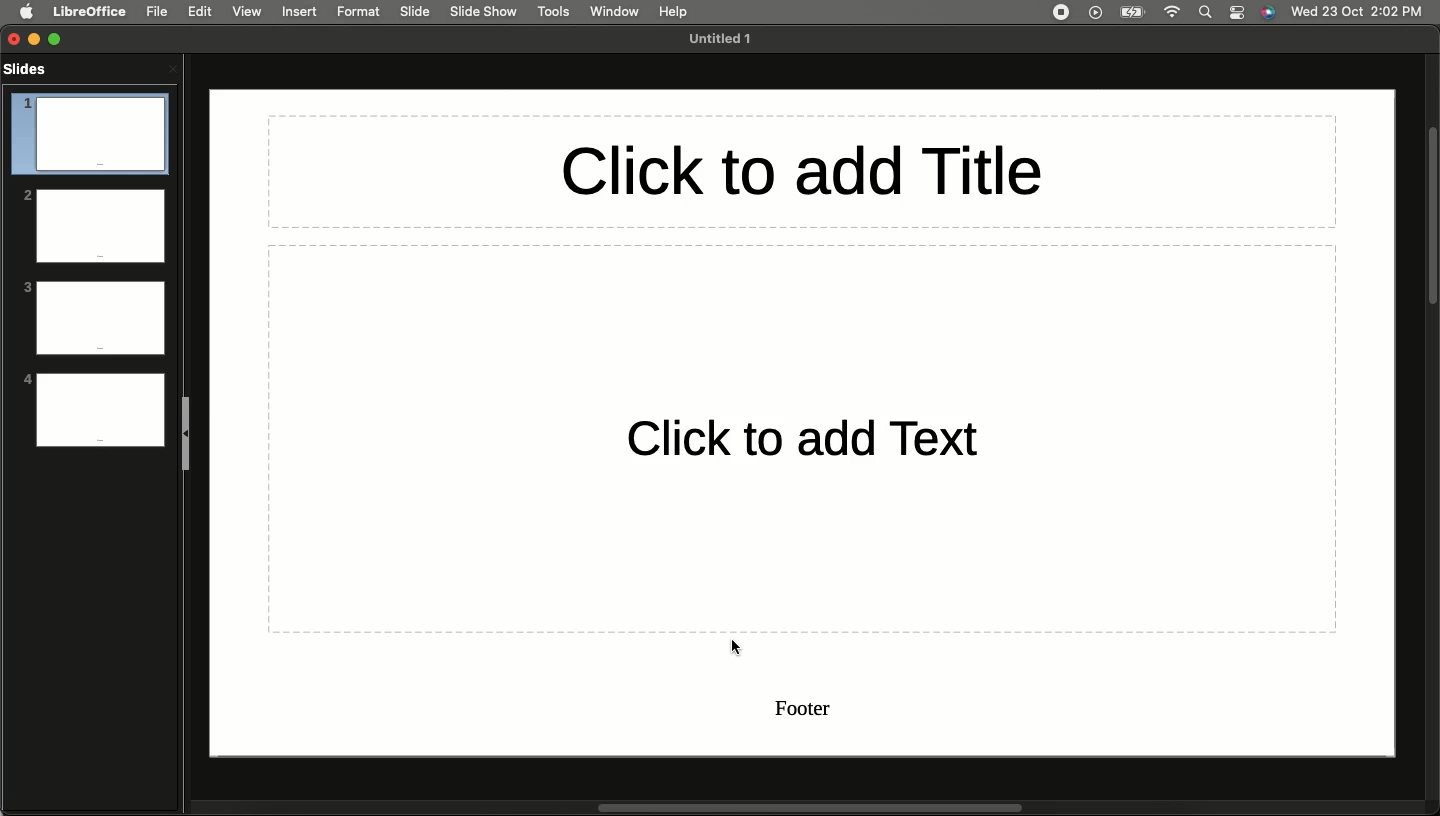 Image resolution: width=1440 pixels, height=816 pixels. What do you see at coordinates (1132, 12) in the screenshot?
I see `Charge` at bounding box center [1132, 12].